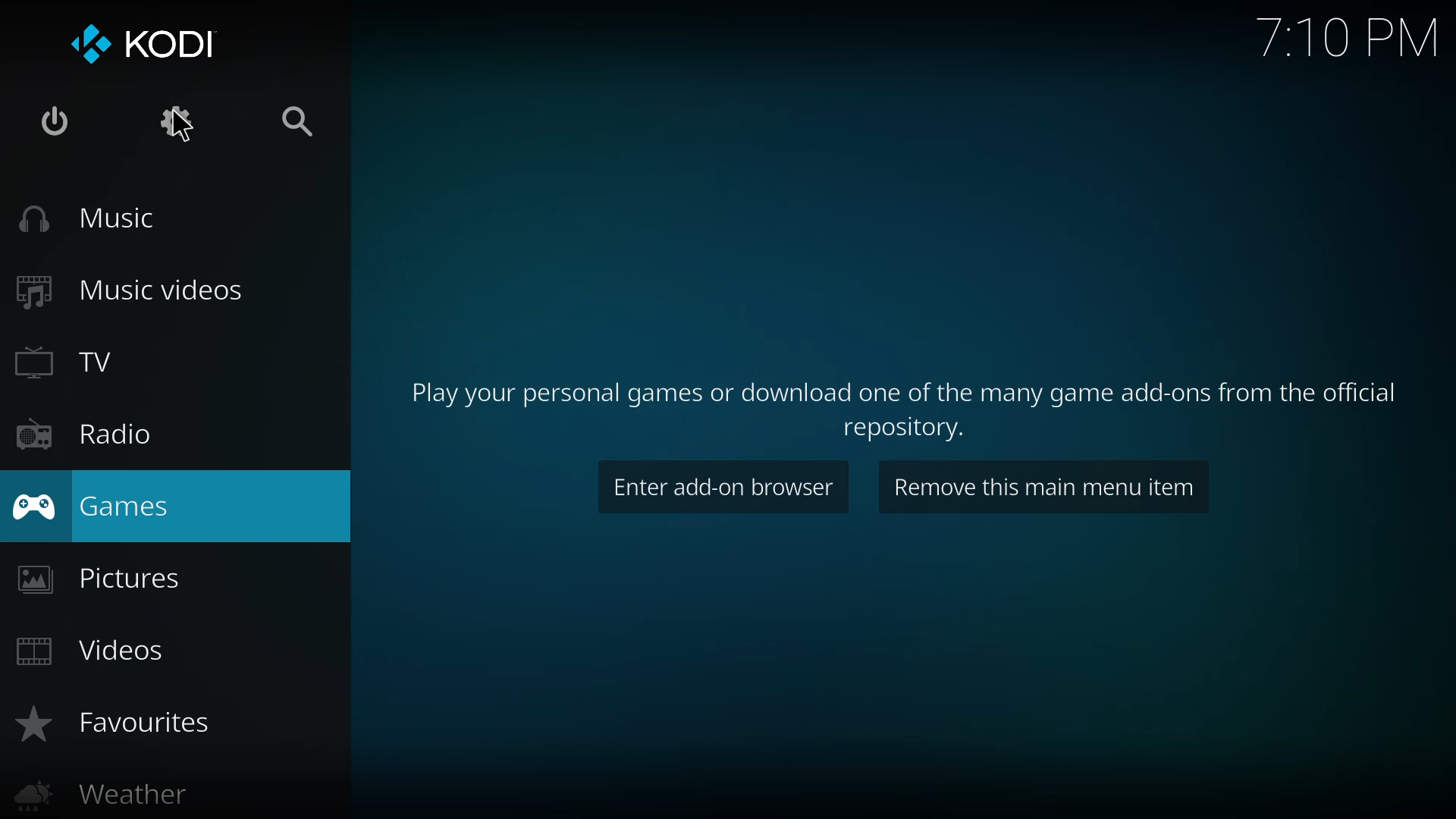 Image resolution: width=1456 pixels, height=819 pixels. I want to click on kodi, so click(146, 42).